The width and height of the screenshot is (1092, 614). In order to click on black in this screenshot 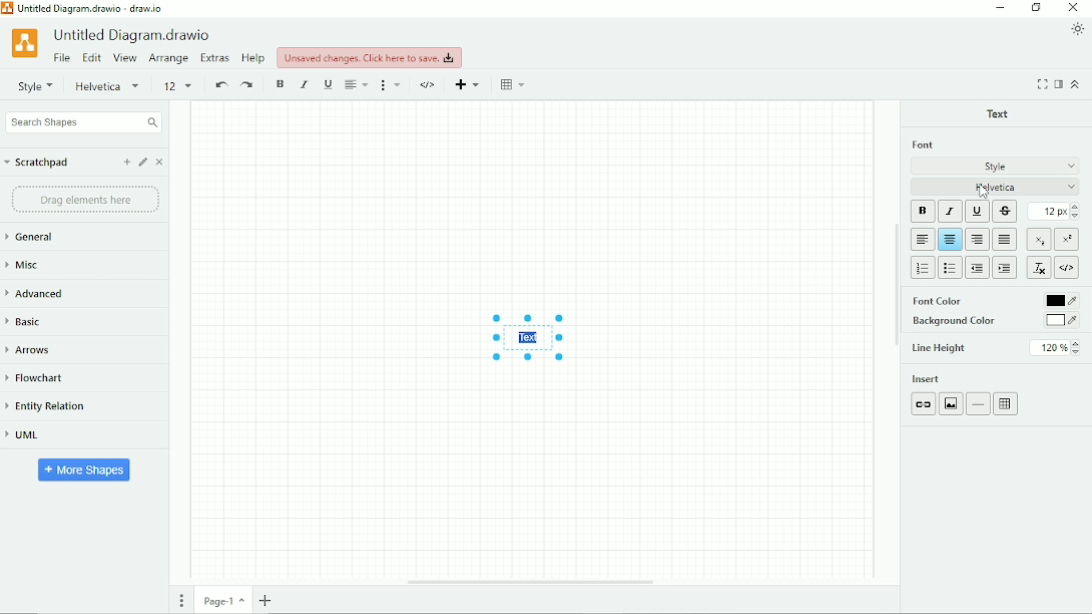, I will do `click(1059, 299)`.